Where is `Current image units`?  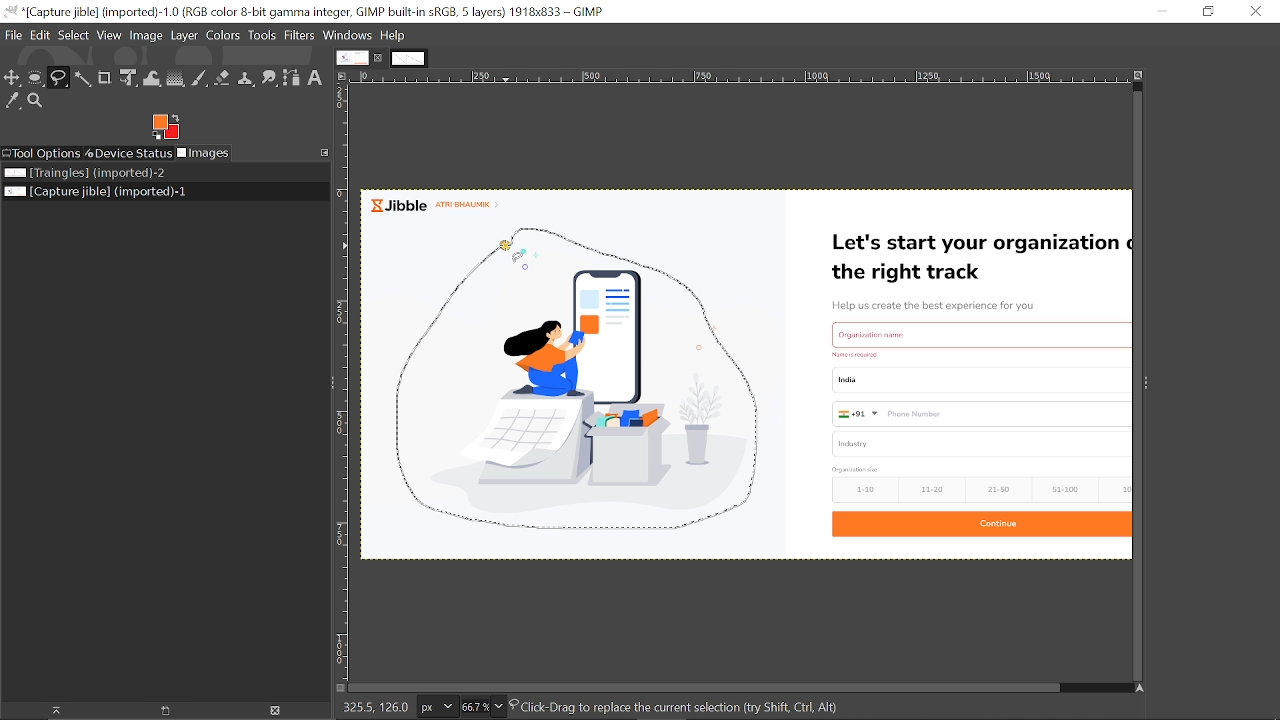 Current image units is located at coordinates (435, 708).